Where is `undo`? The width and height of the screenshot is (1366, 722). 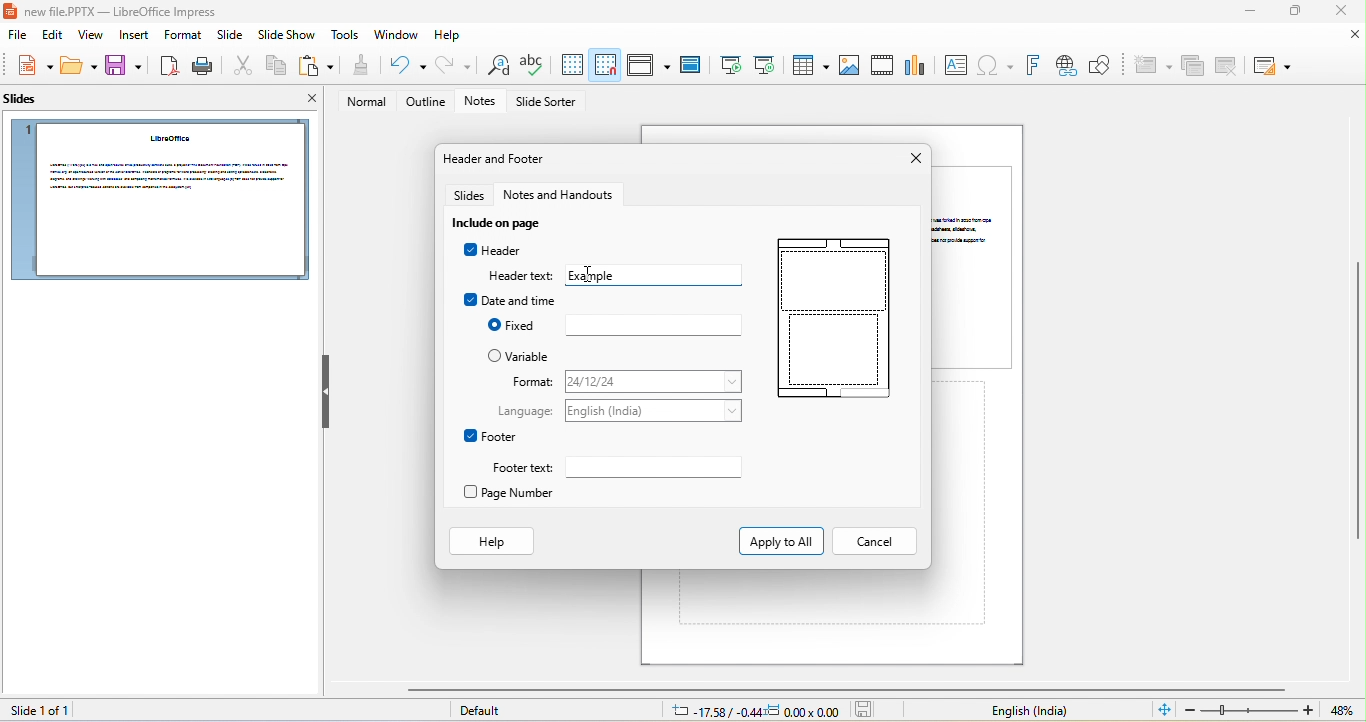 undo is located at coordinates (403, 66).